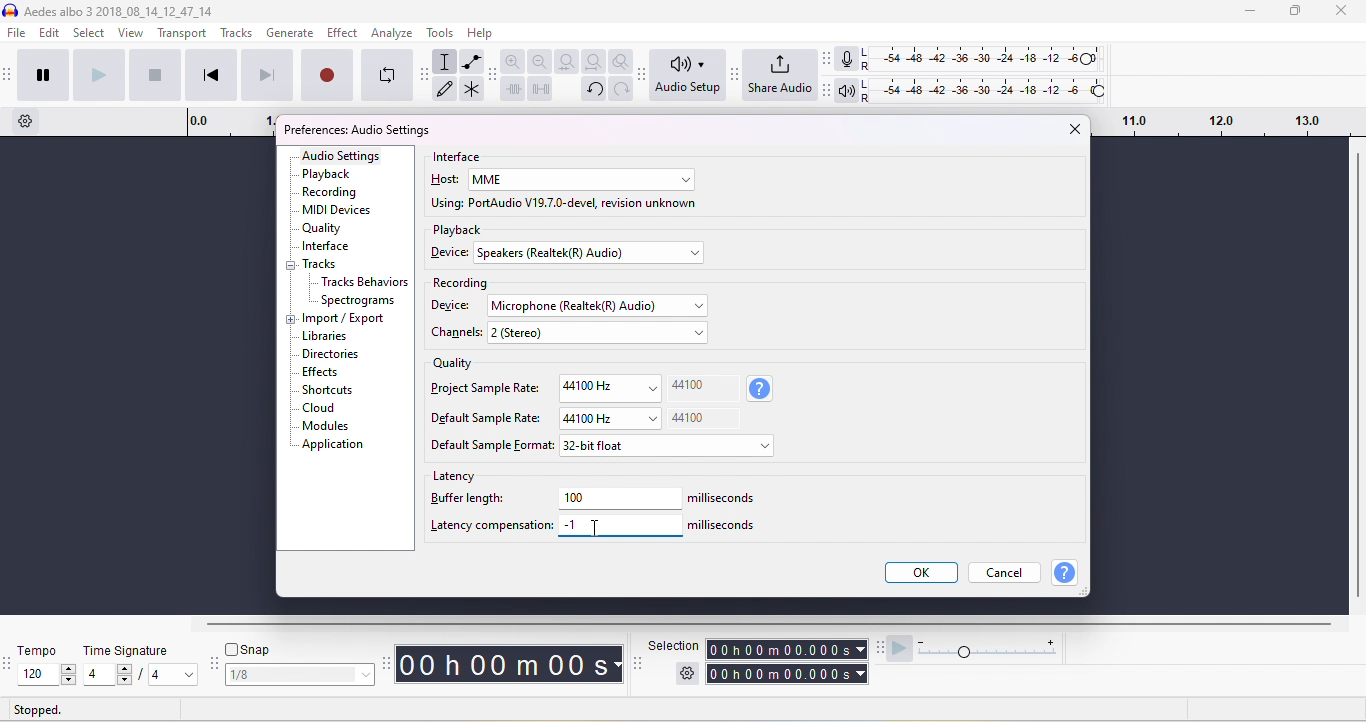 The width and height of the screenshot is (1366, 722). Describe the element at coordinates (689, 418) in the screenshot. I see `44100` at that location.